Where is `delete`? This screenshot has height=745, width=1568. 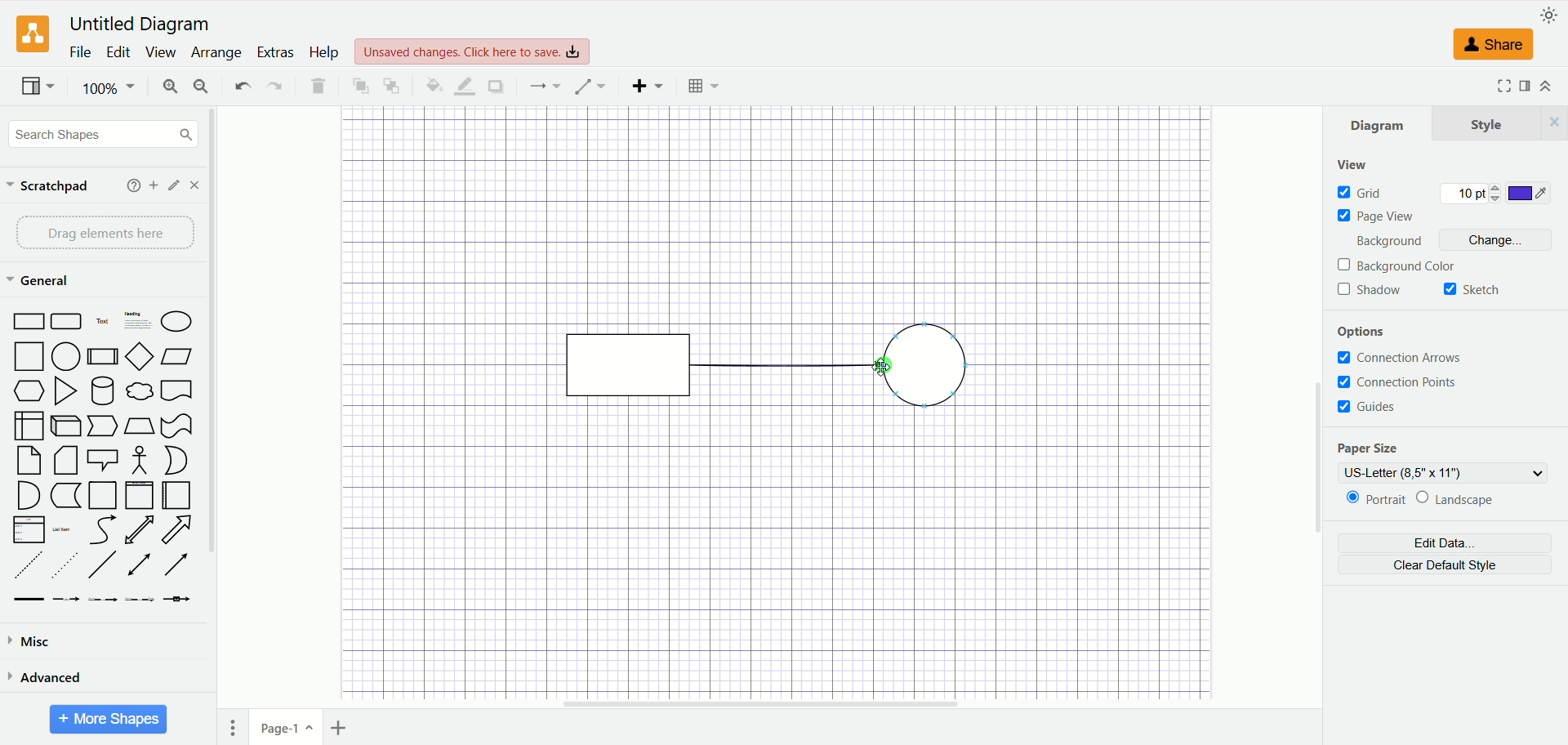
delete is located at coordinates (316, 84).